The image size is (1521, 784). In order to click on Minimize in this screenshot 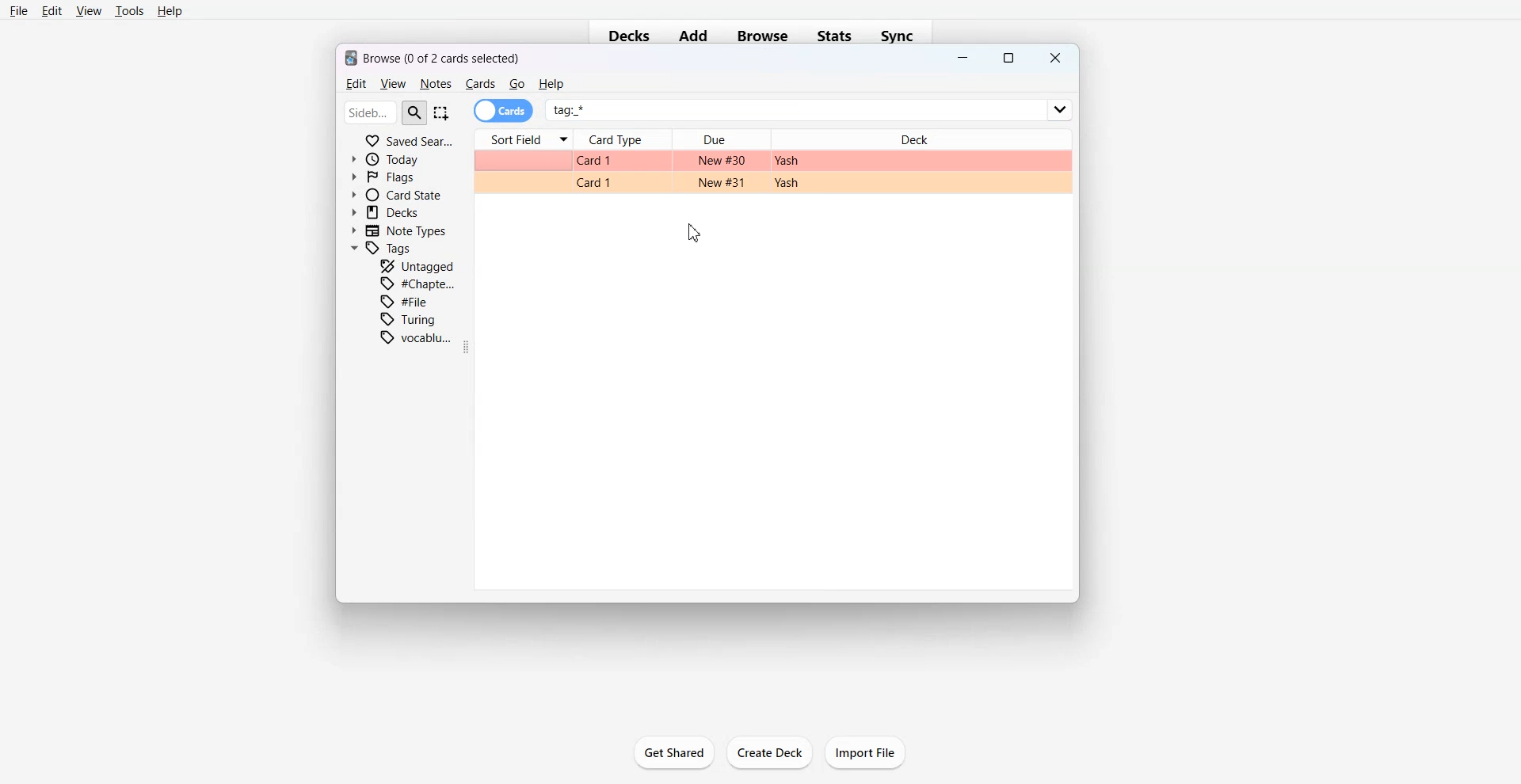, I will do `click(963, 59)`.